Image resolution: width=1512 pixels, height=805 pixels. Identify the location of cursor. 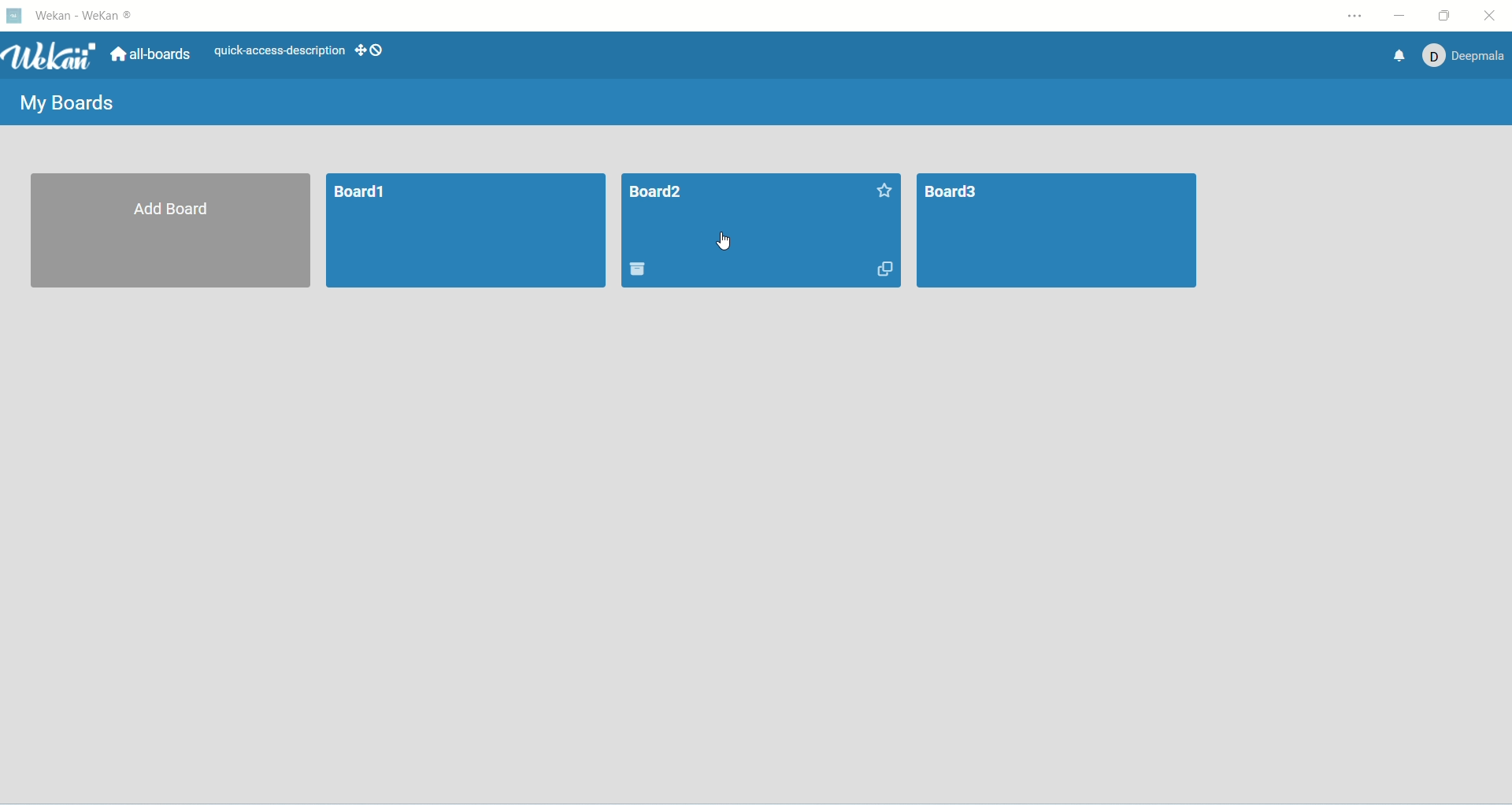
(724, 240).